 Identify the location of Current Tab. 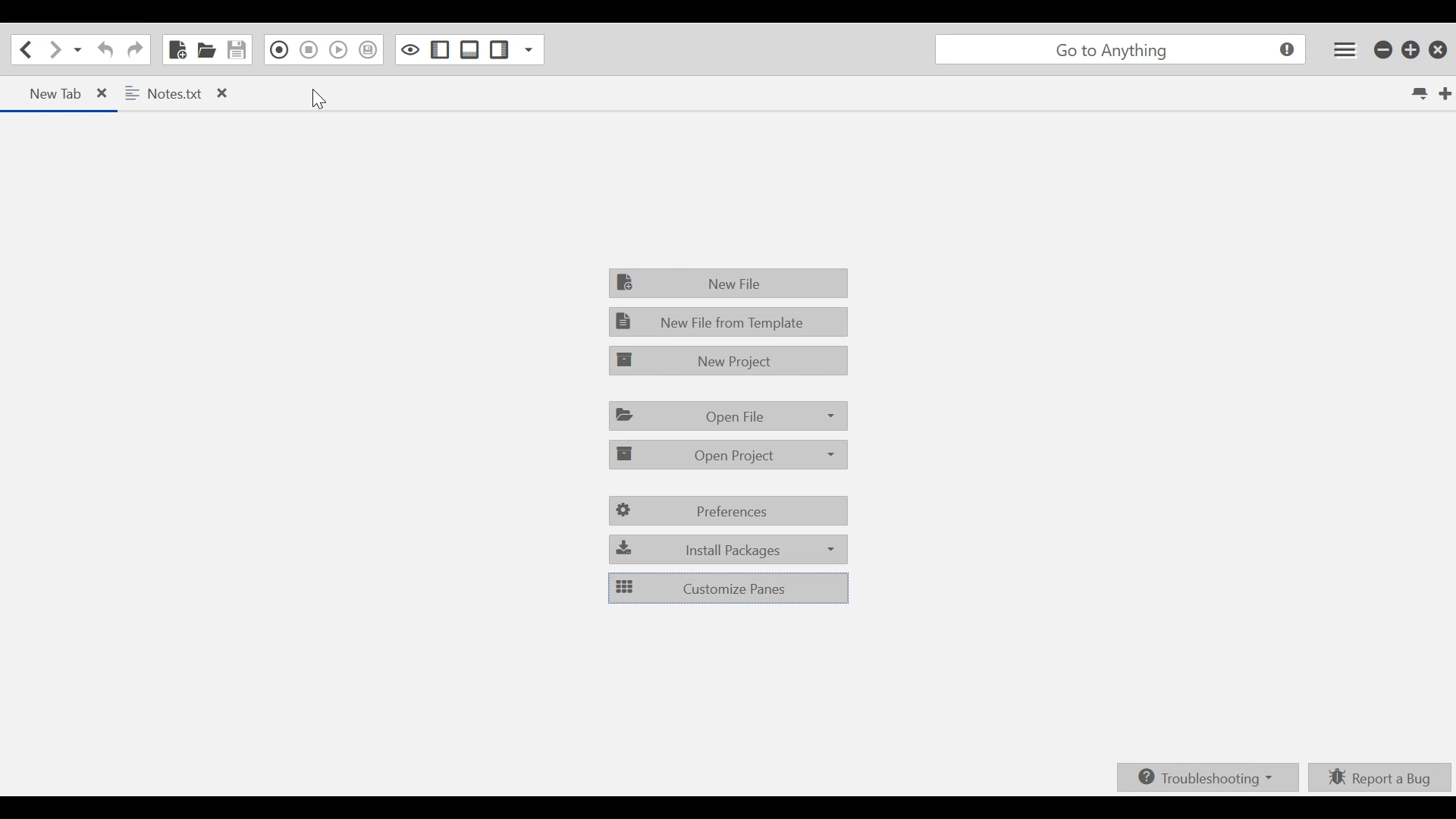
(60, 94).